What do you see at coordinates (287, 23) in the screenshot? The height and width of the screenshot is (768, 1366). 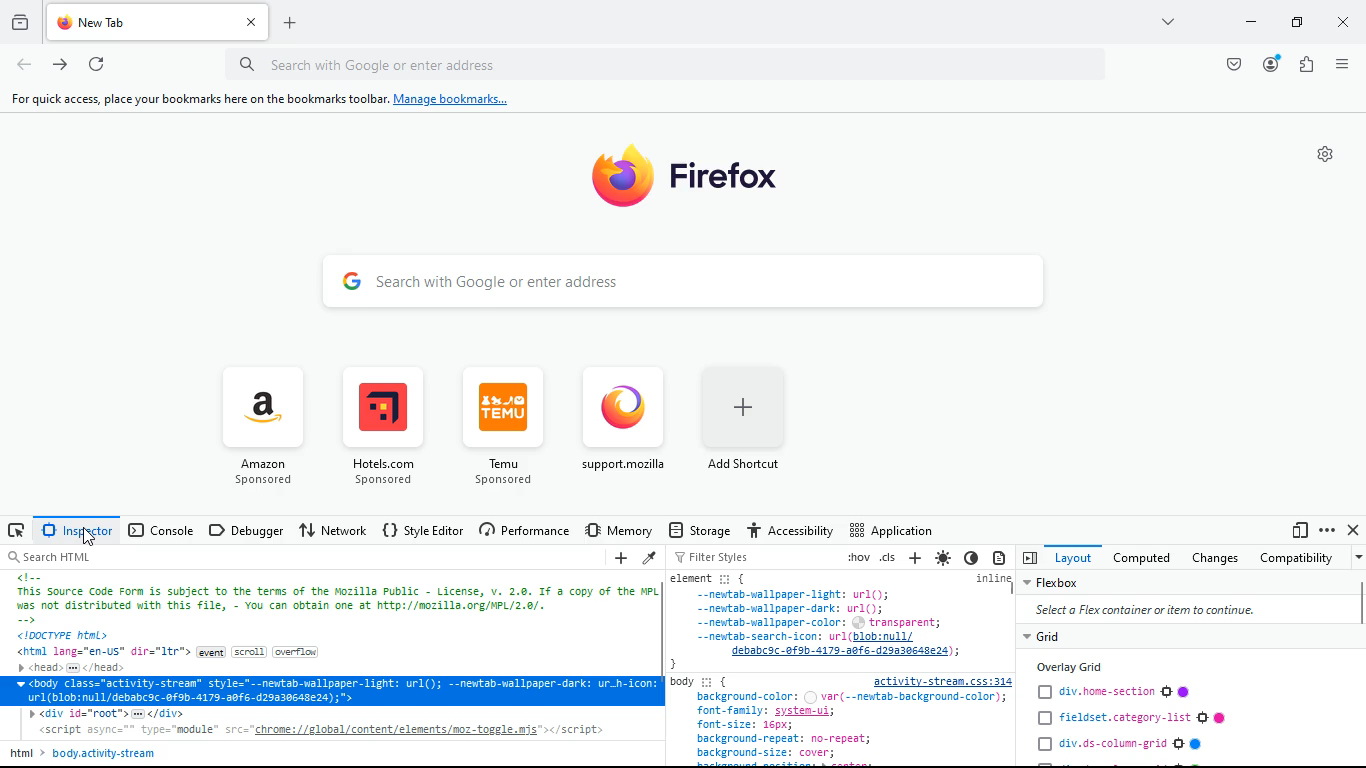 I see `add tab` at bounding box center [287, 23].